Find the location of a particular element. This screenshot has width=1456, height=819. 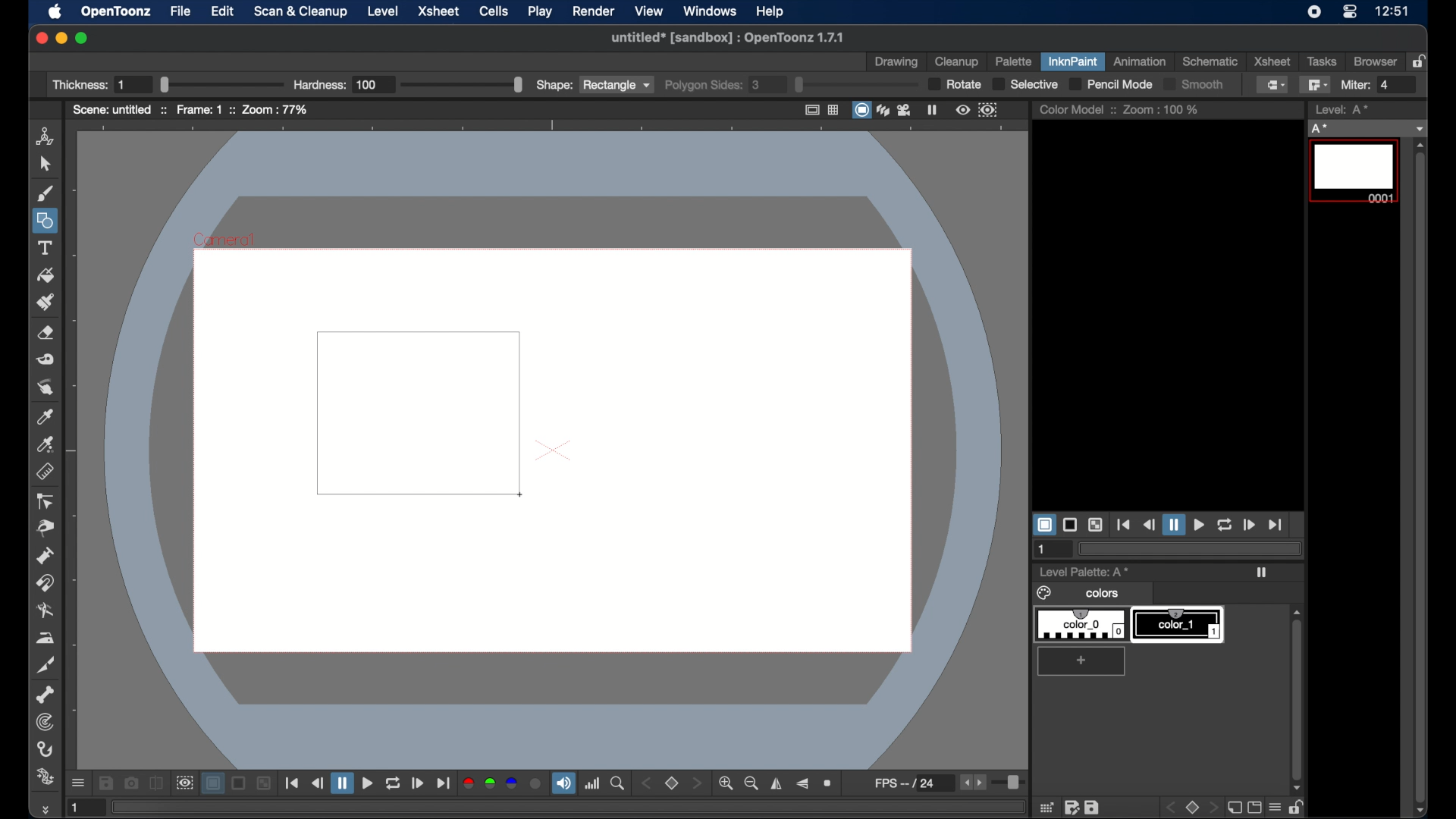

stepper button is located at coordinates (645, 783).